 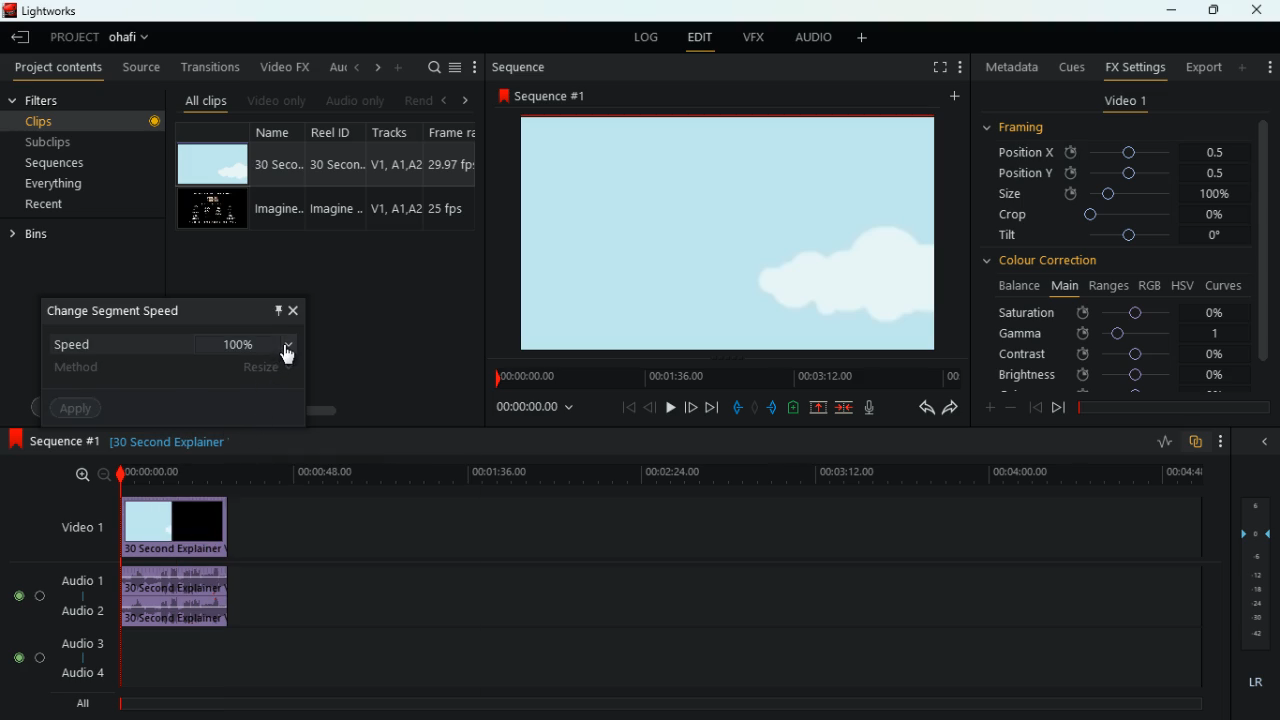 What do you see at coordinates (1199, 67) in the screenshot?
I see `export` at bounding box center [1199, 67].